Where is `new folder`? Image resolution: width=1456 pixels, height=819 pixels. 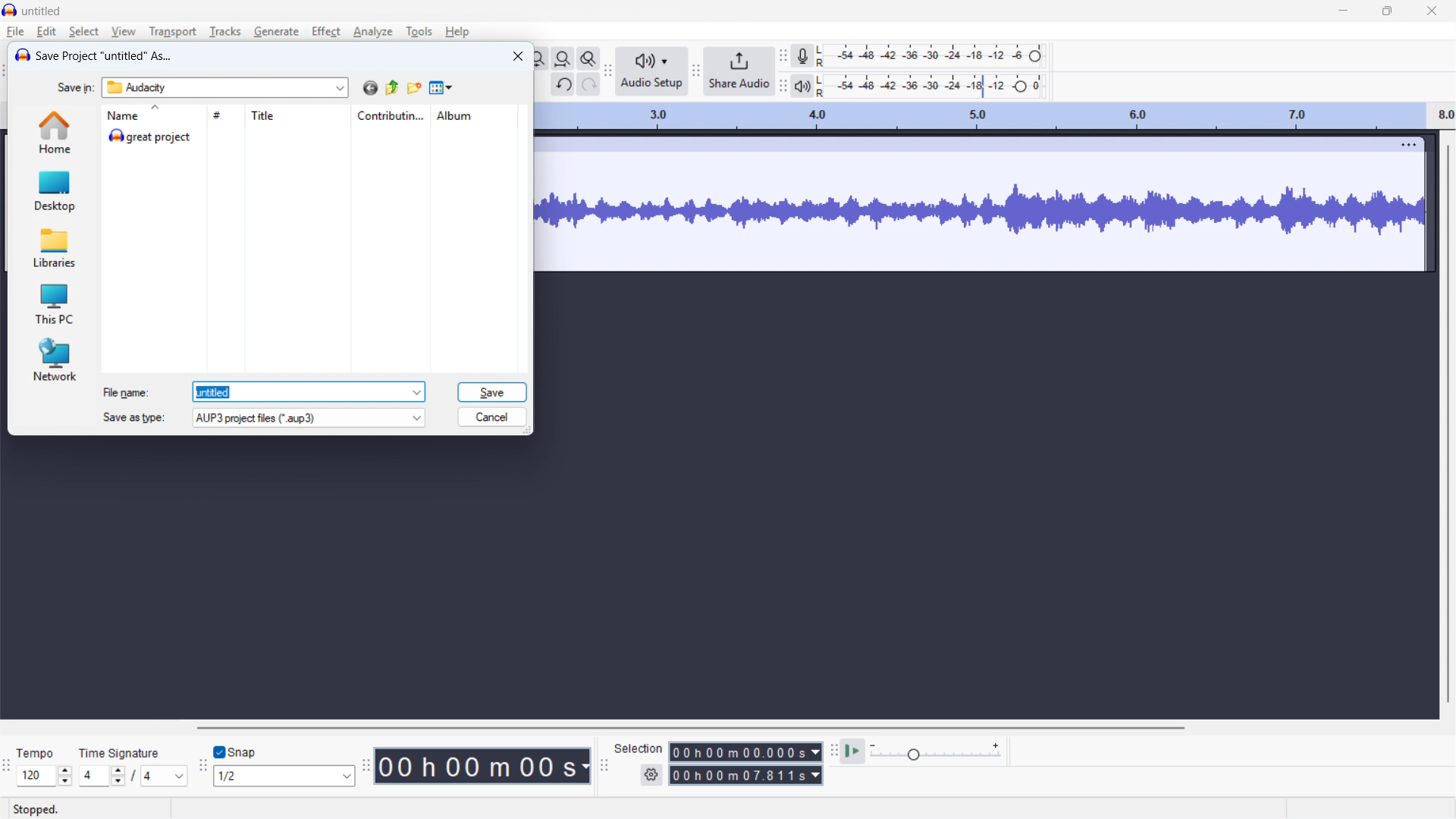
new folder is located at coordinates (415, 88).